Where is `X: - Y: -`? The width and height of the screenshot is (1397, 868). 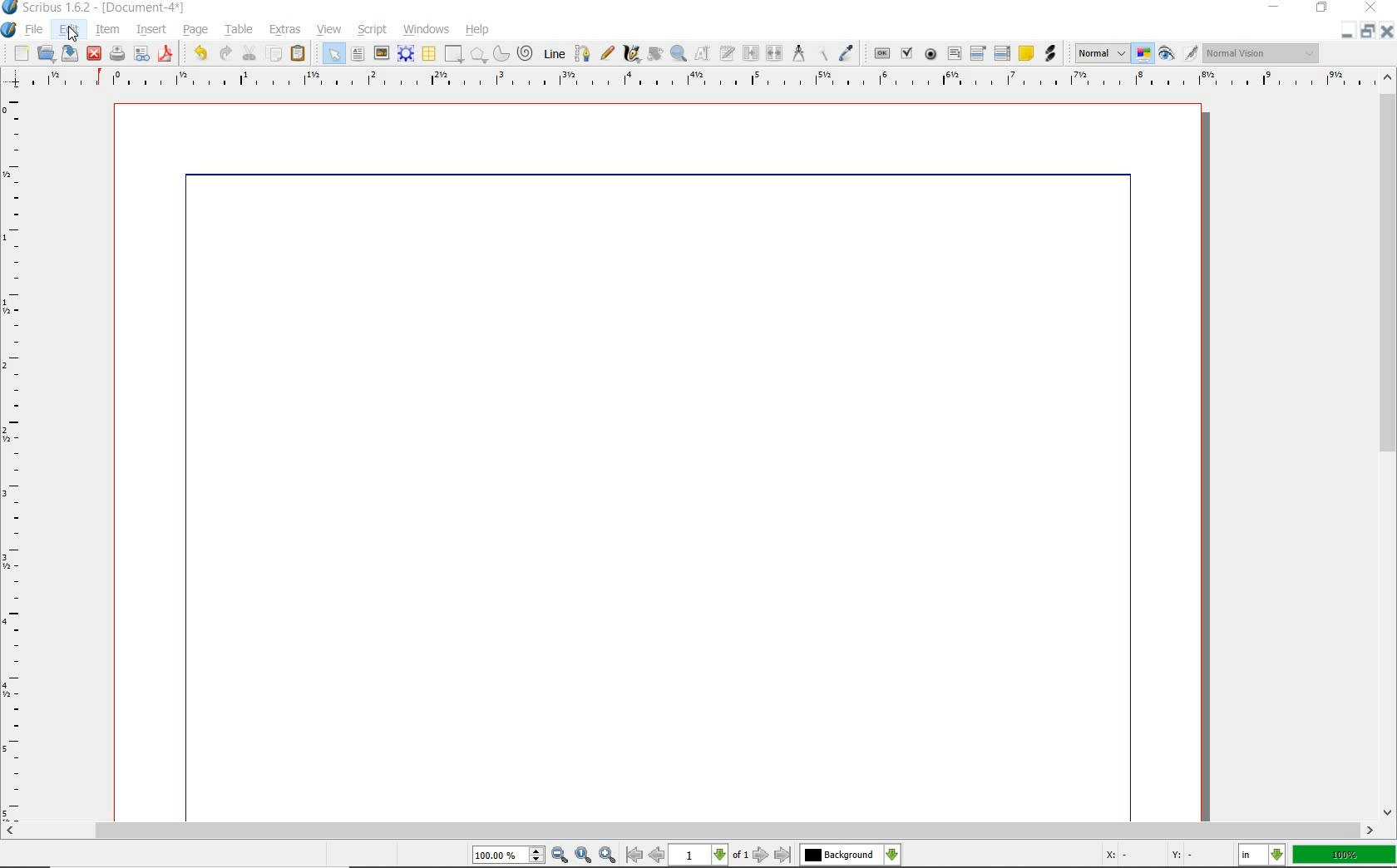 X: - Y: - is located at coordinates (1148, 856).